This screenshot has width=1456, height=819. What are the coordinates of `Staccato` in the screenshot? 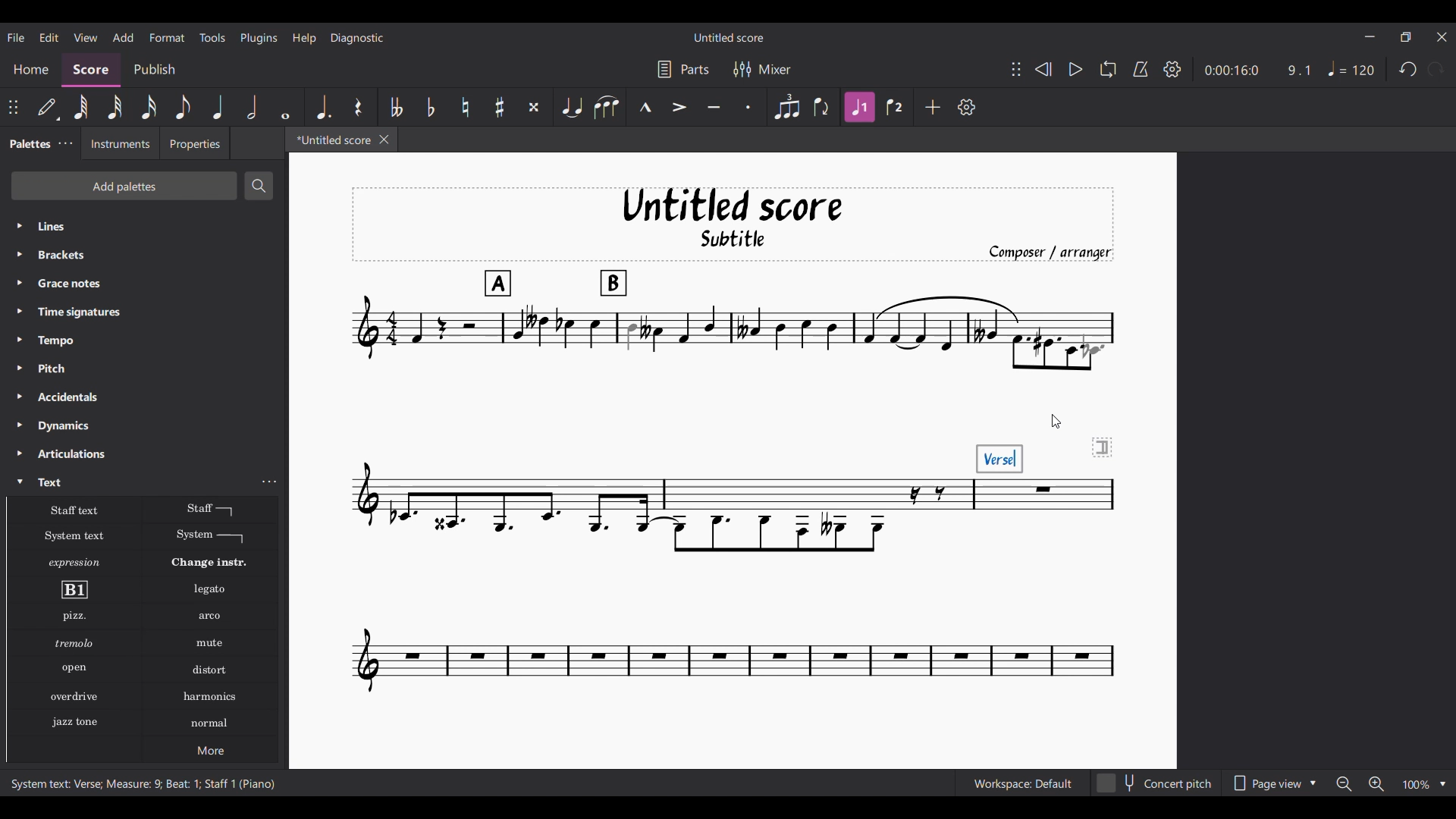 It's located at (748, 107).